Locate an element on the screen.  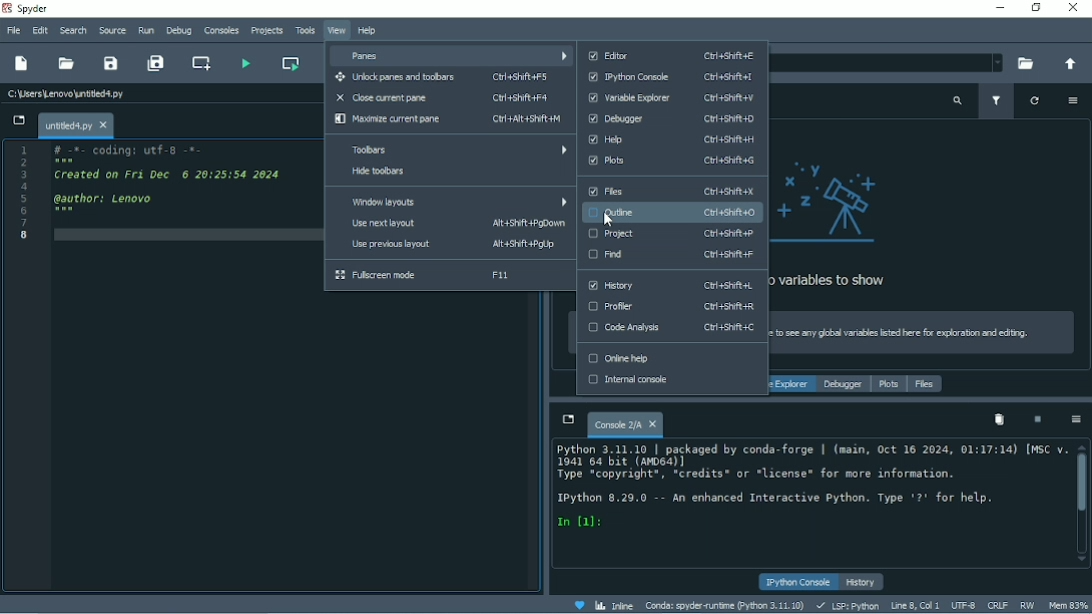
Edit is located at coordinates (40, 31).